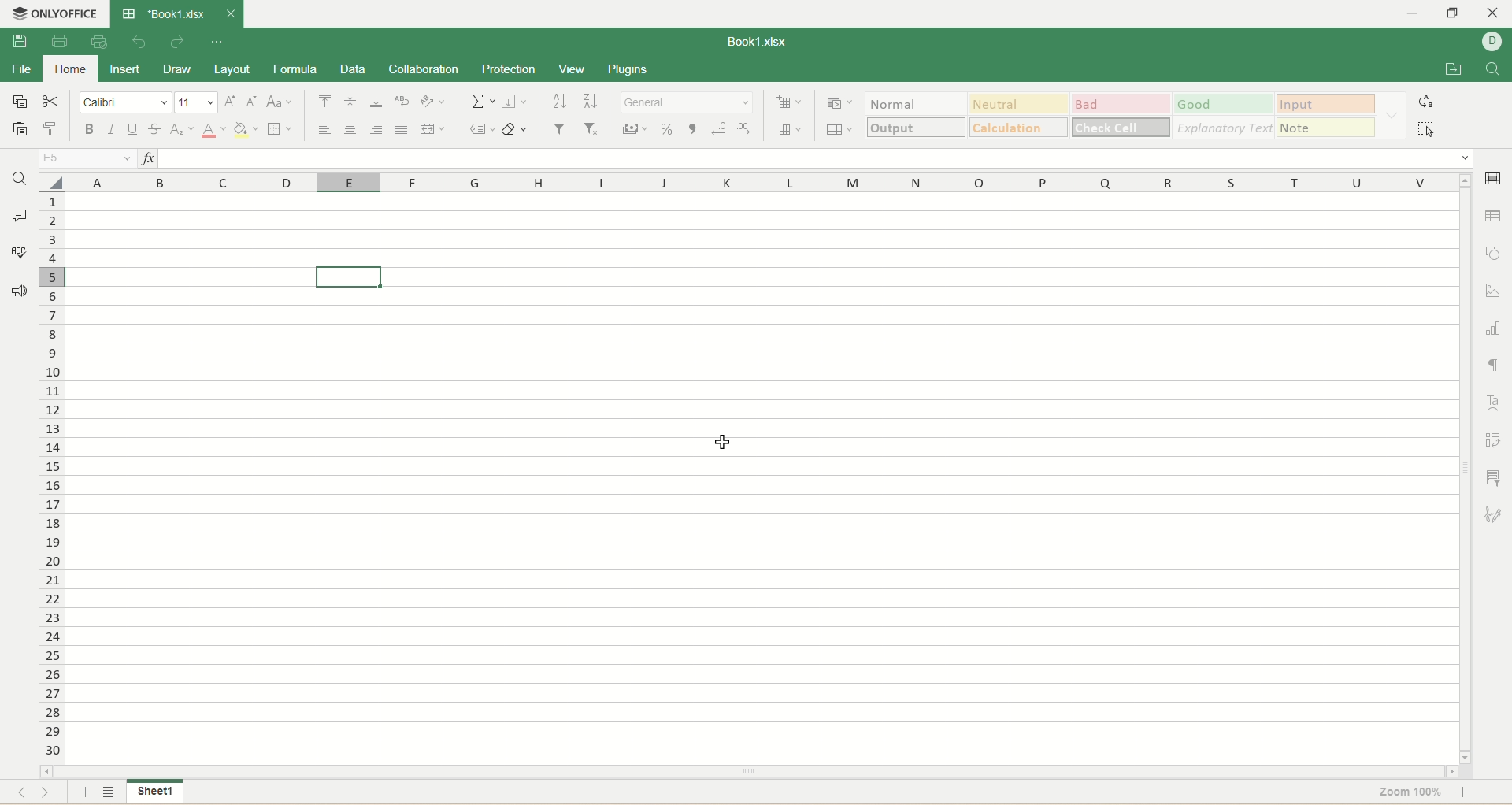 This screenshot has width=1512, height=805. Describe the element at coordinates (1495, 515) in the screenshot. I see `signature settings` at that location.